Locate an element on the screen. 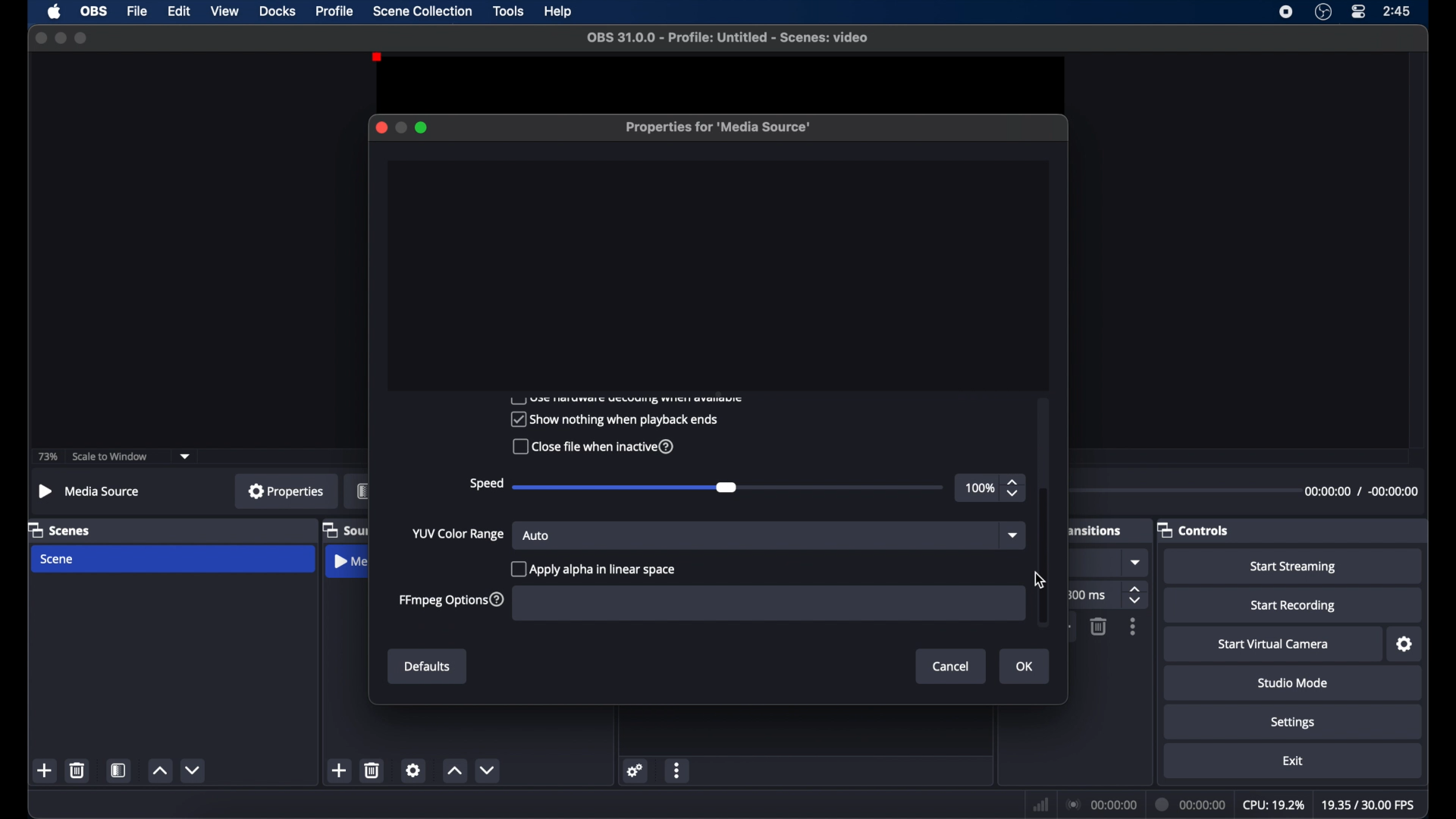  yup color range is located at coordinates (459, 535).